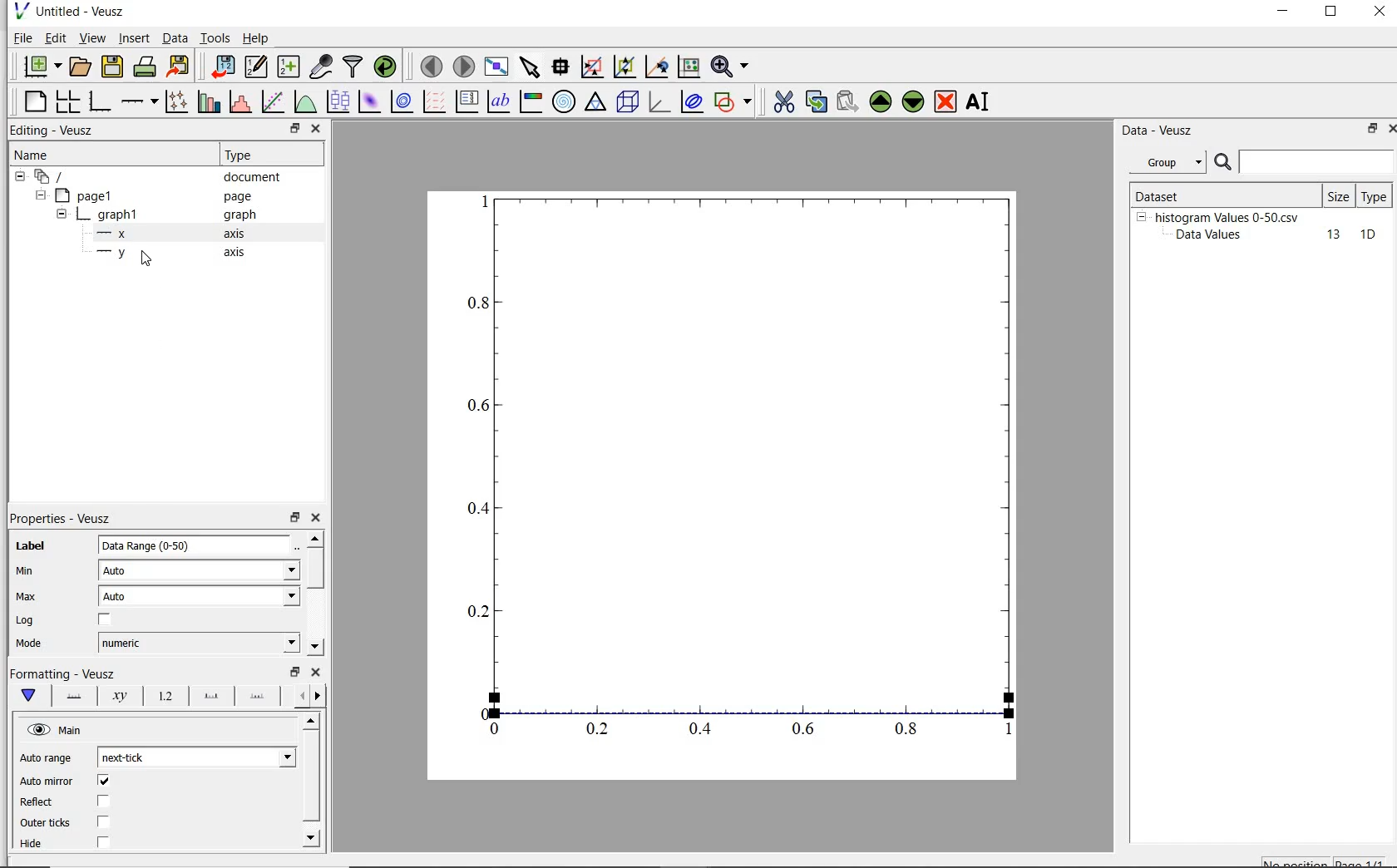  What do you see at coordinates (241, 234) in the screenshot?
I see `axis` at bounding box center [241, 234].